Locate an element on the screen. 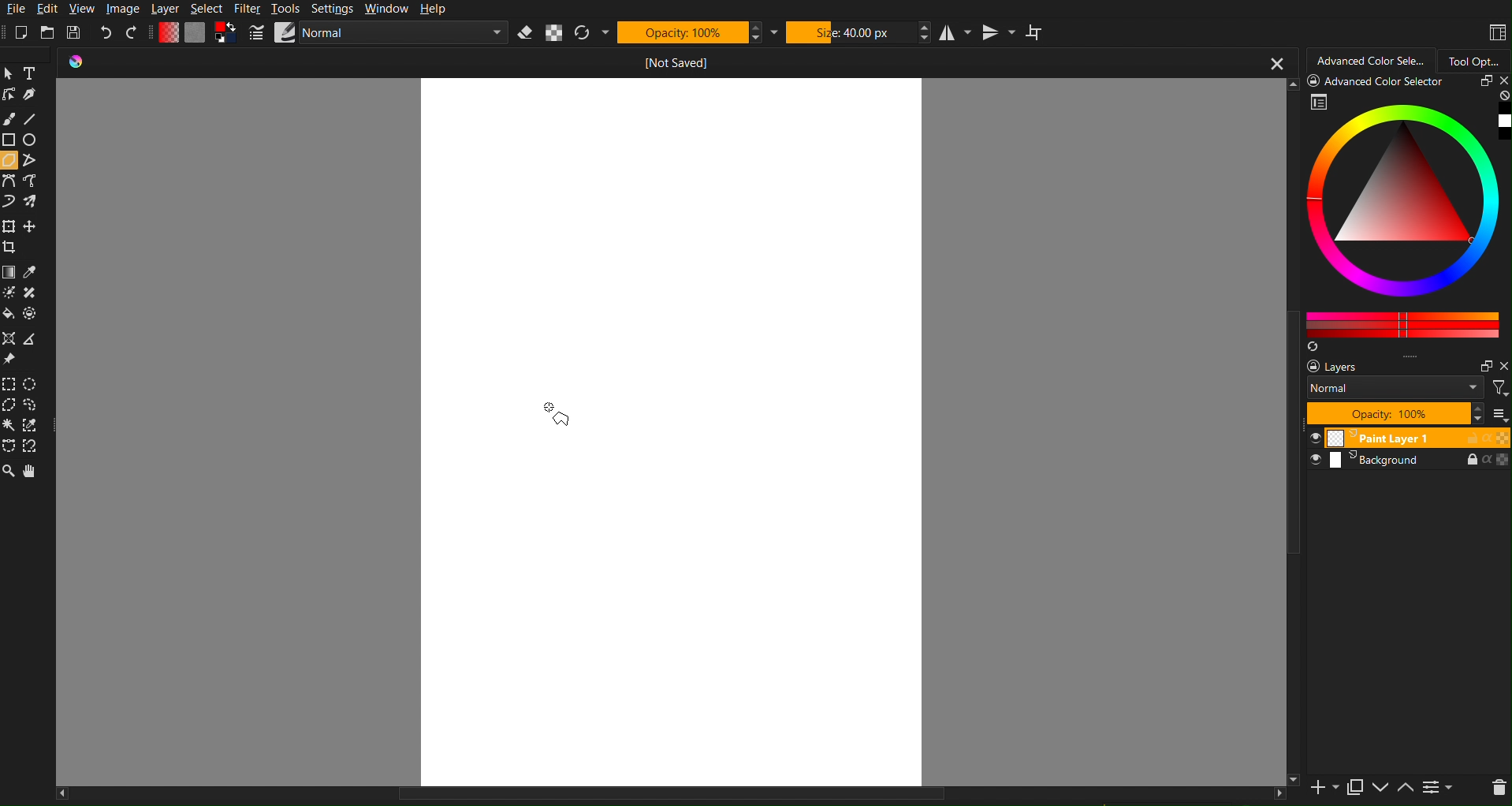 This screenshot has height=806, width=1512. scroll bar is located at coordinates (670, 799).